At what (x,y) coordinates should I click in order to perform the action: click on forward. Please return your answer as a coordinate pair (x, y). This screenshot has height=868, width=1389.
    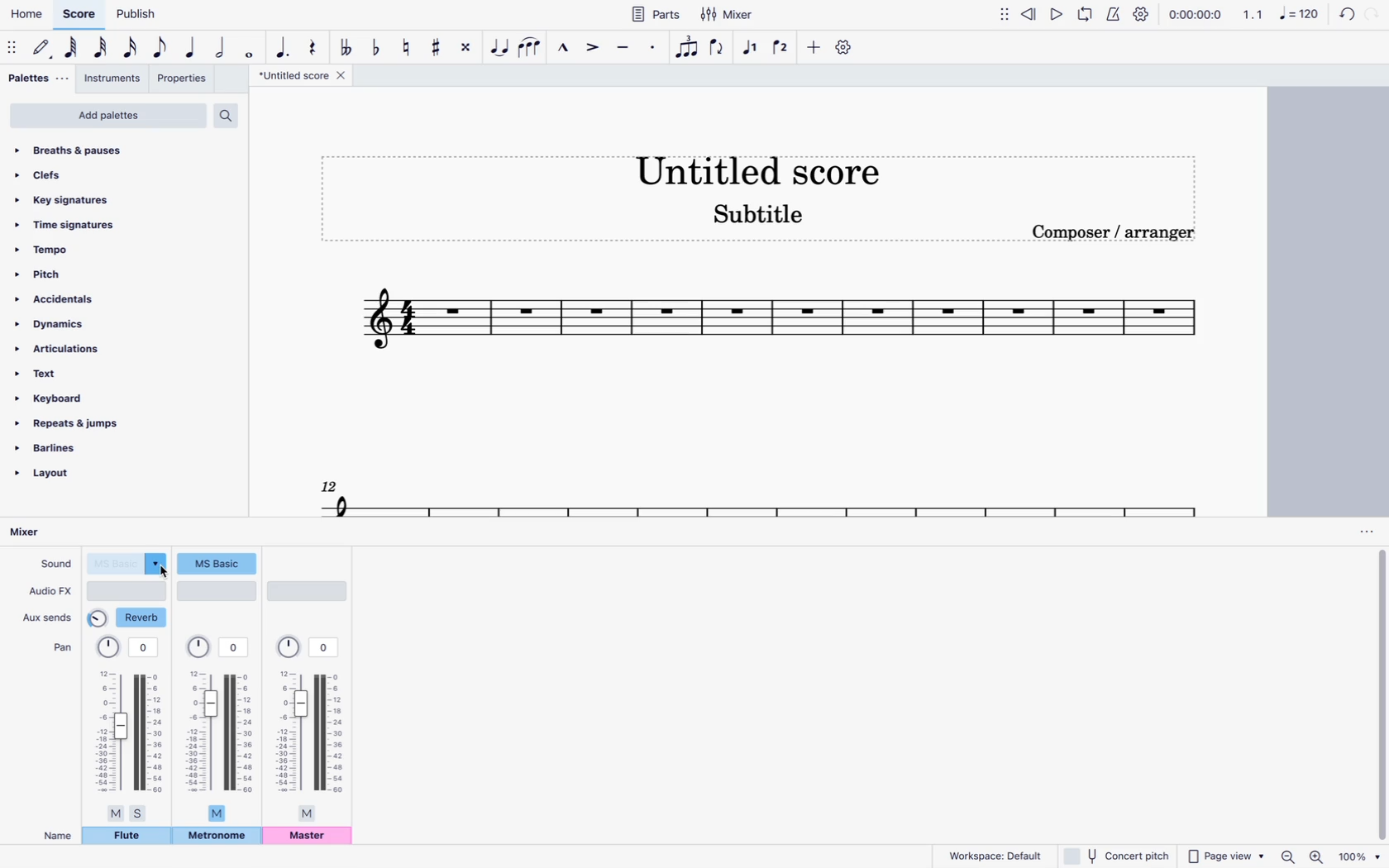
    Looking at the image, I should click on (1372, 16).